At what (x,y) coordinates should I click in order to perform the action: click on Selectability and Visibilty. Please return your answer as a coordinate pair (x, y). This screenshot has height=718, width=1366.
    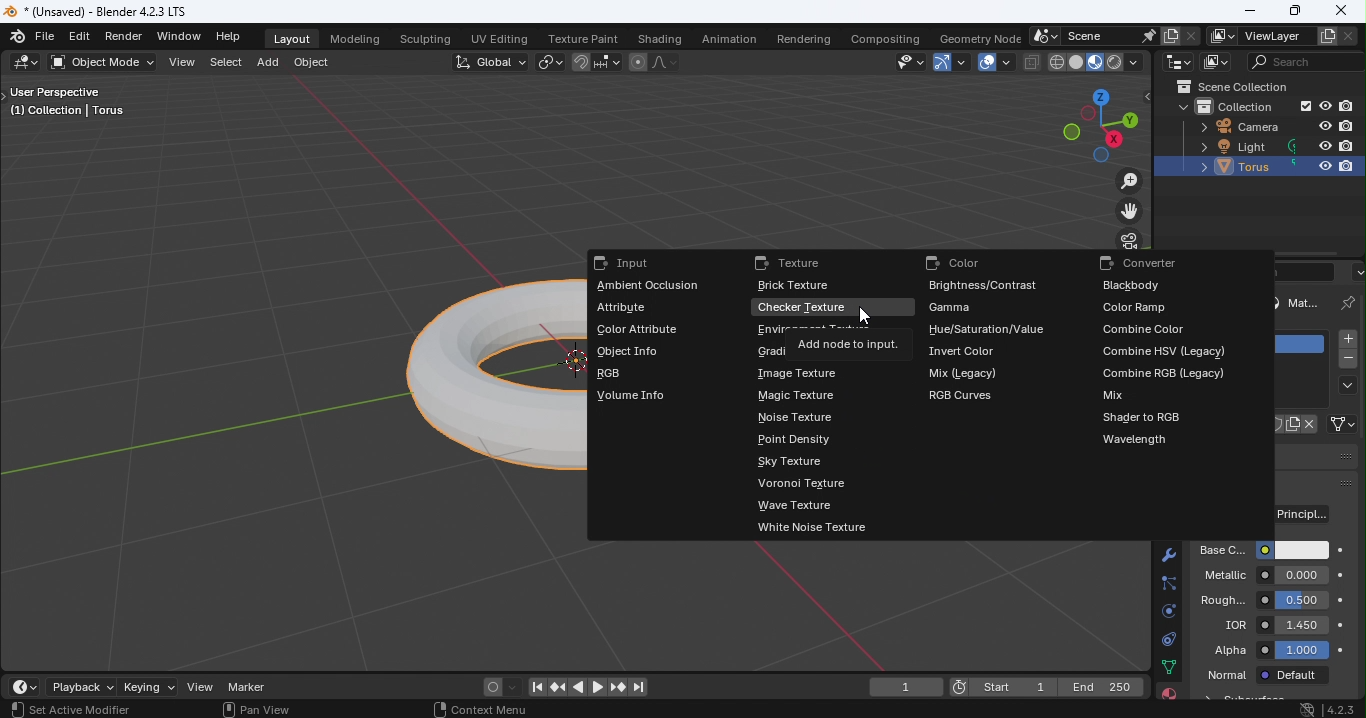
    Looking at the image, I should click on (882, 63).